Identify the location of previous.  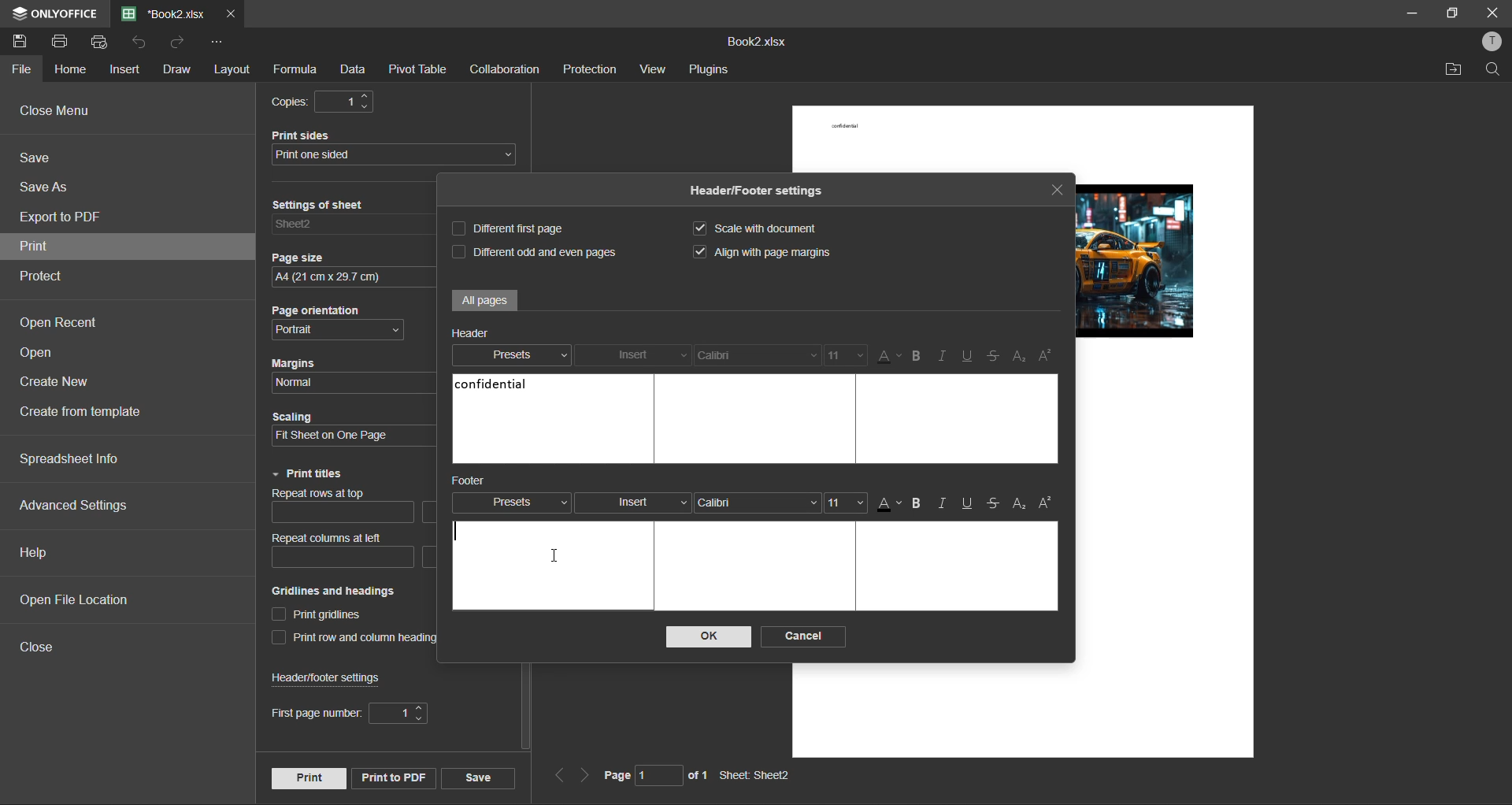
(557, 773).